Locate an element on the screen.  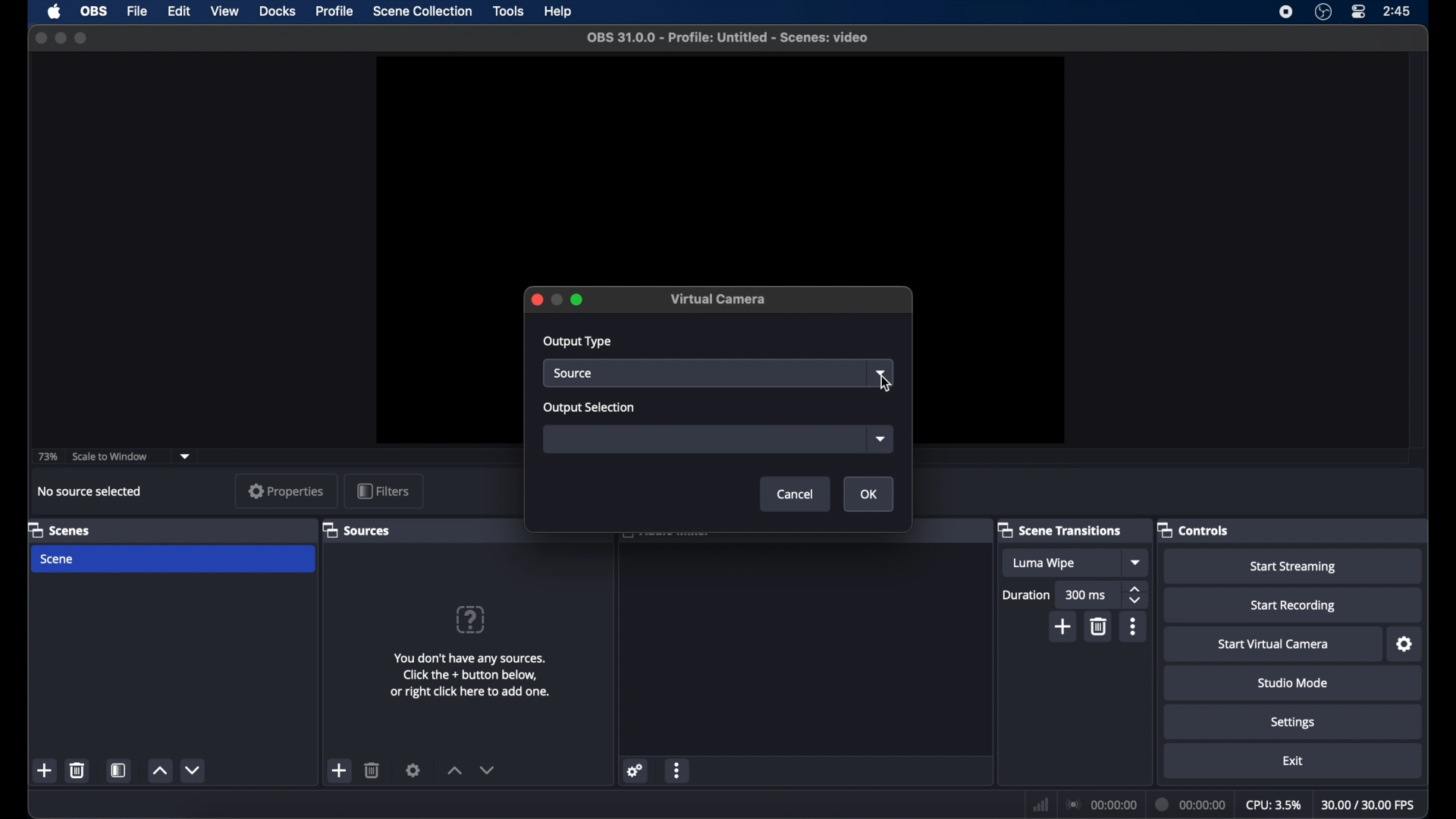
scene filters is located at coordinates (119, 770).